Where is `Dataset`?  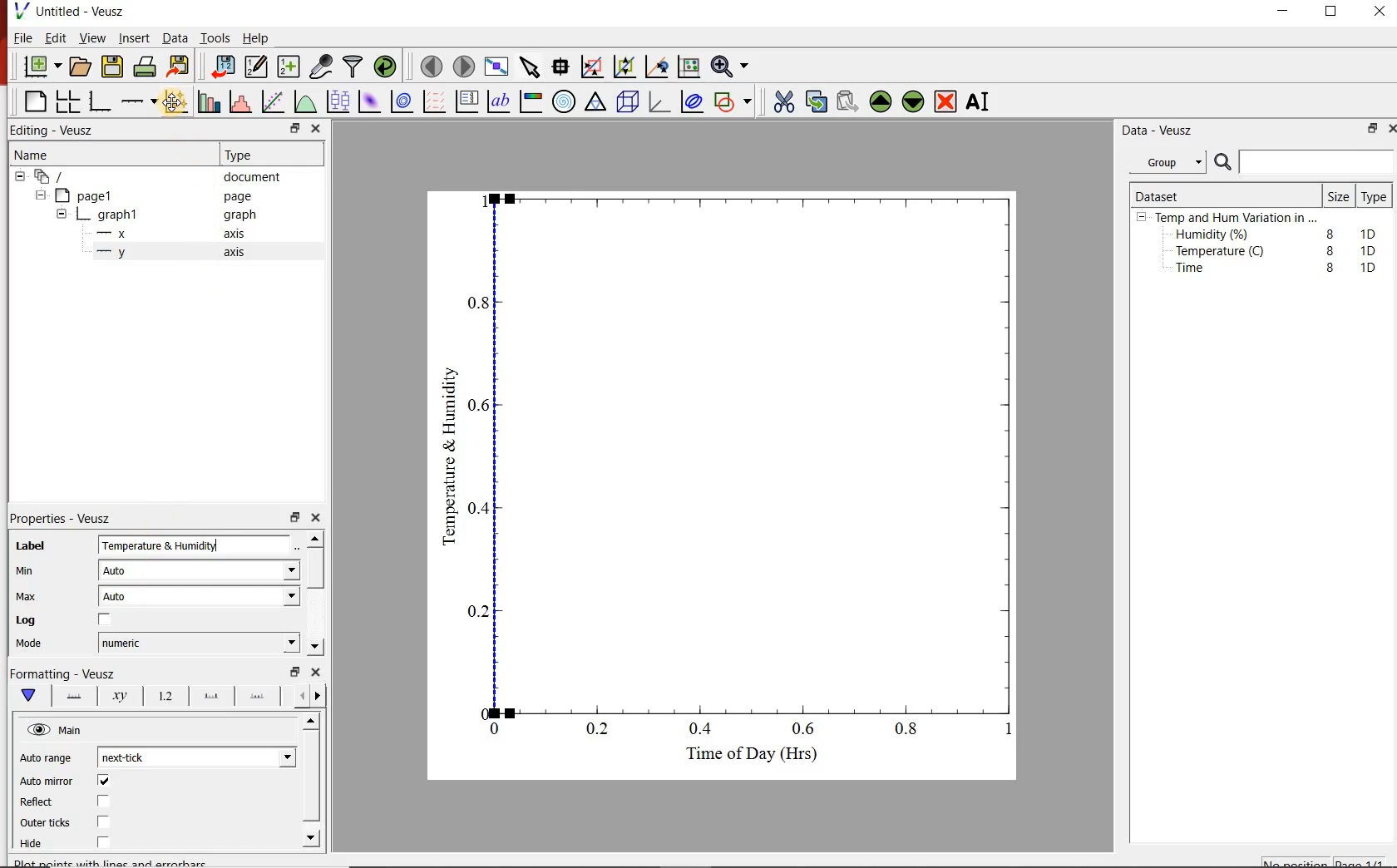
Dataset is located at coordinates (1164, 194).